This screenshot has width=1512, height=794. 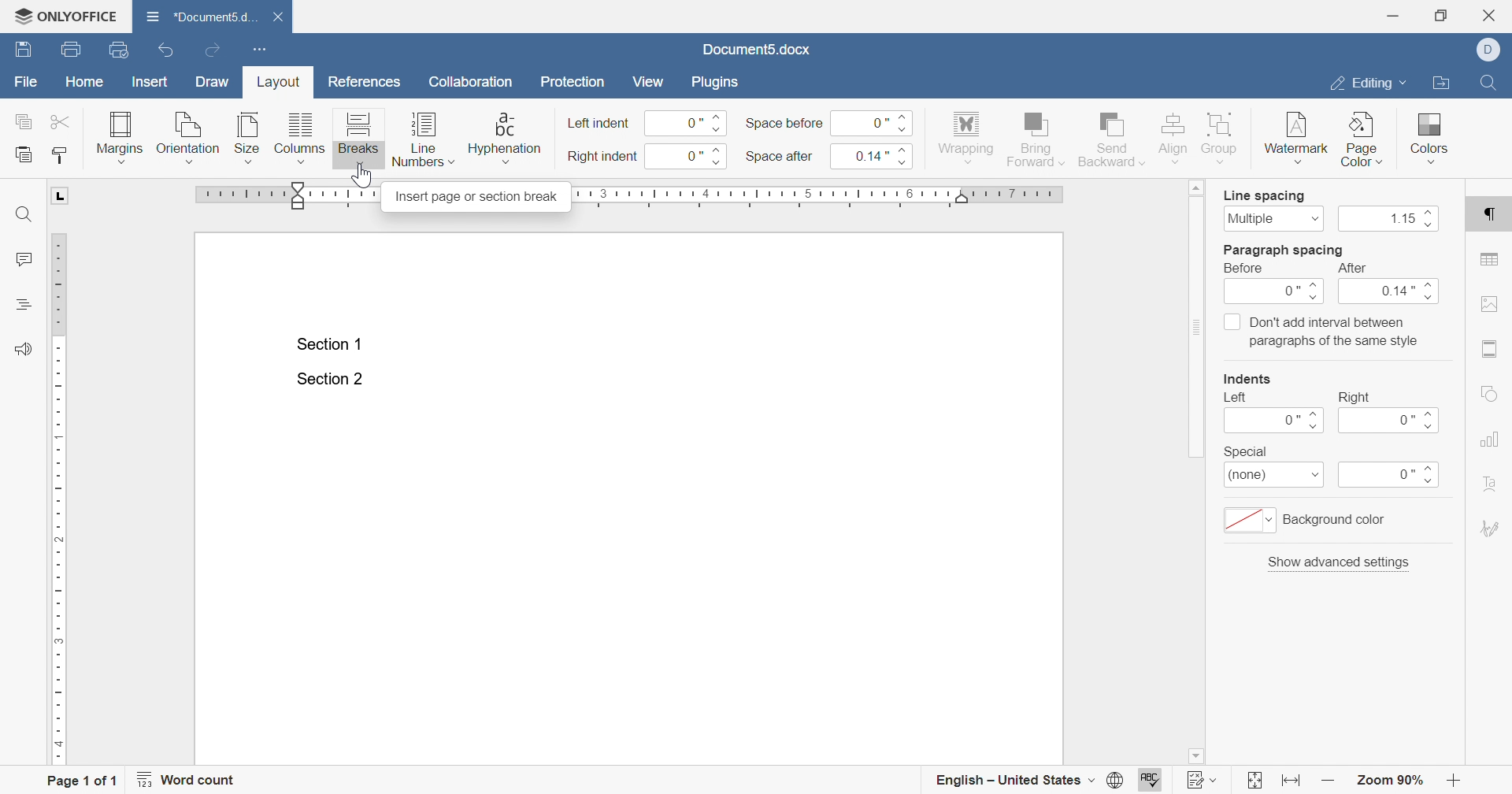 I want to click on page 1 of 1, so click(x=86, y=779).